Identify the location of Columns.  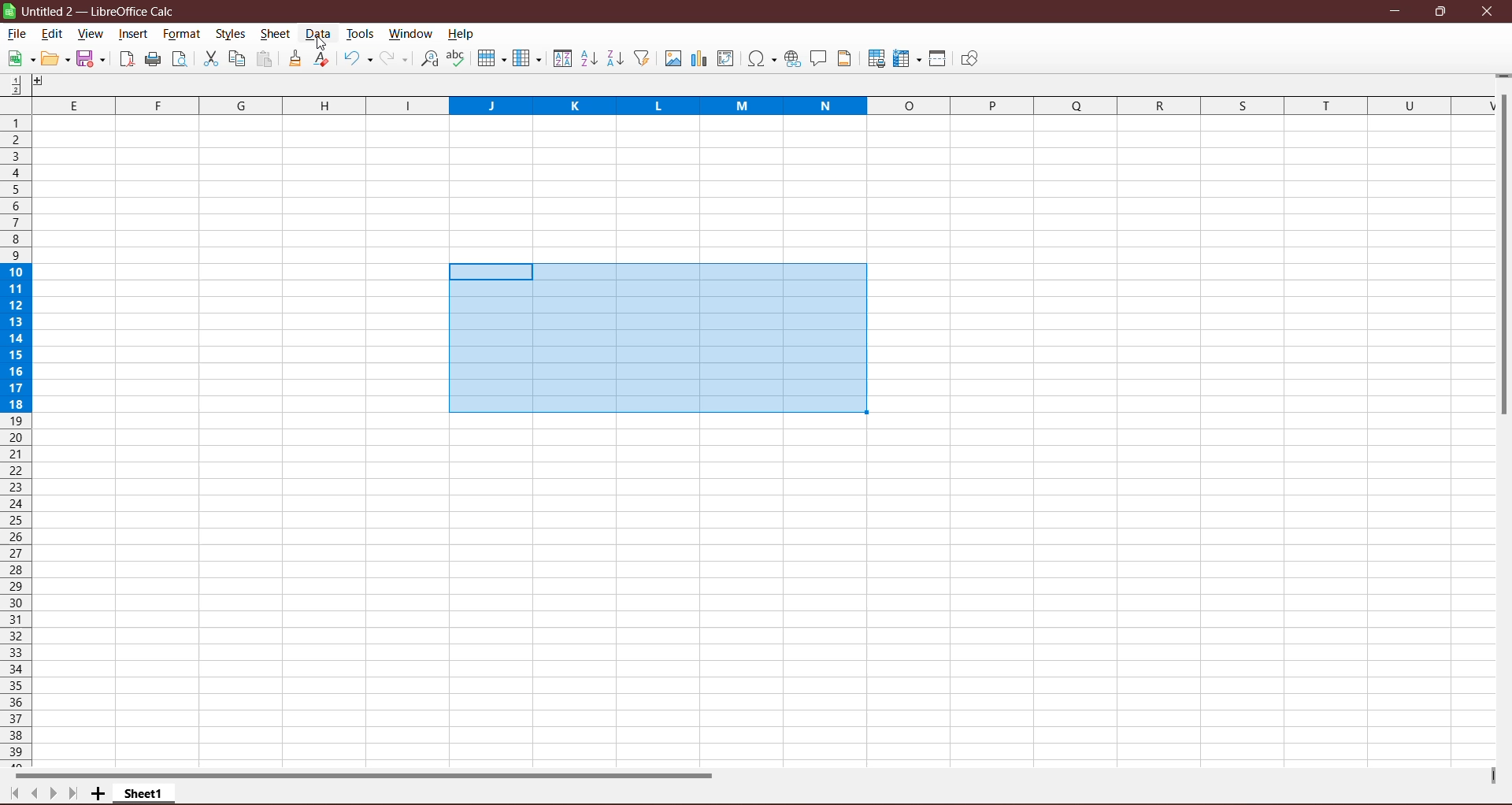
(527, 58).